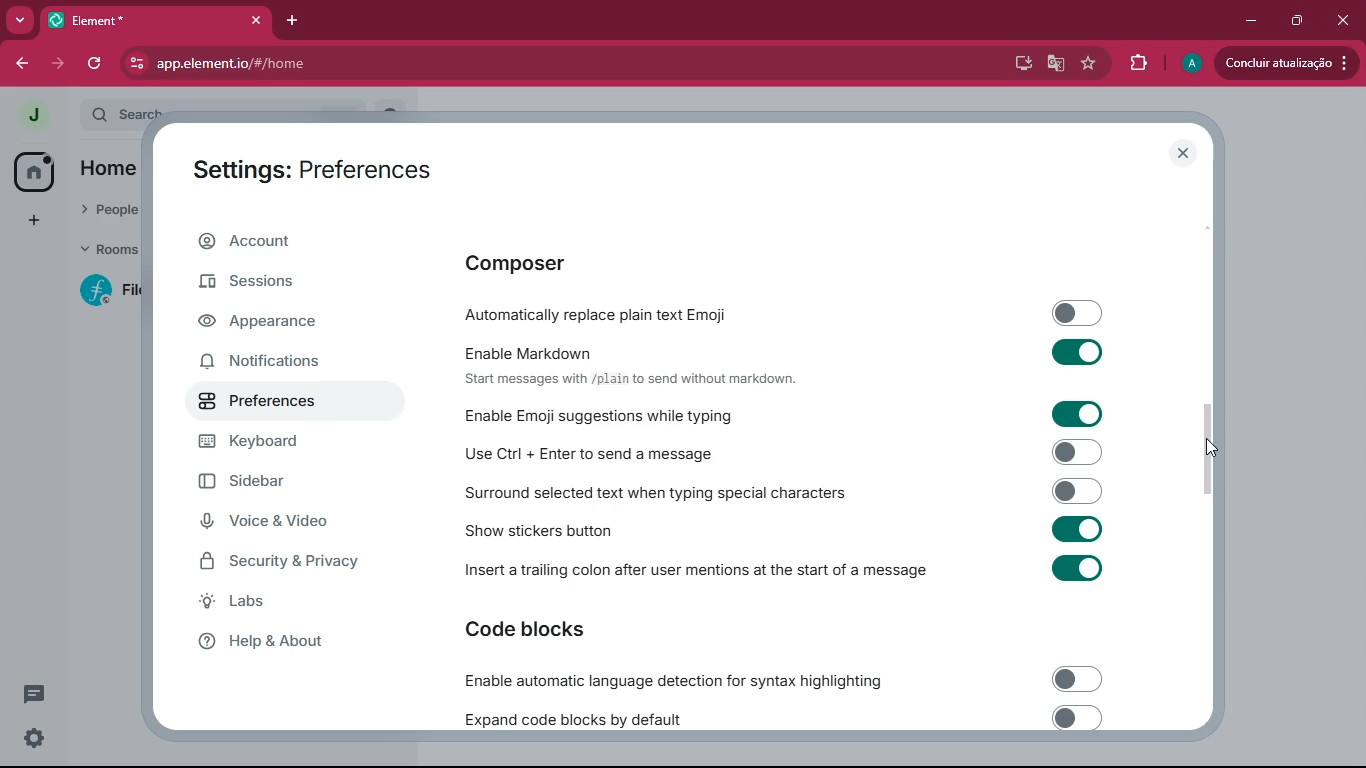  I want to click on close, so click(1185, 155).